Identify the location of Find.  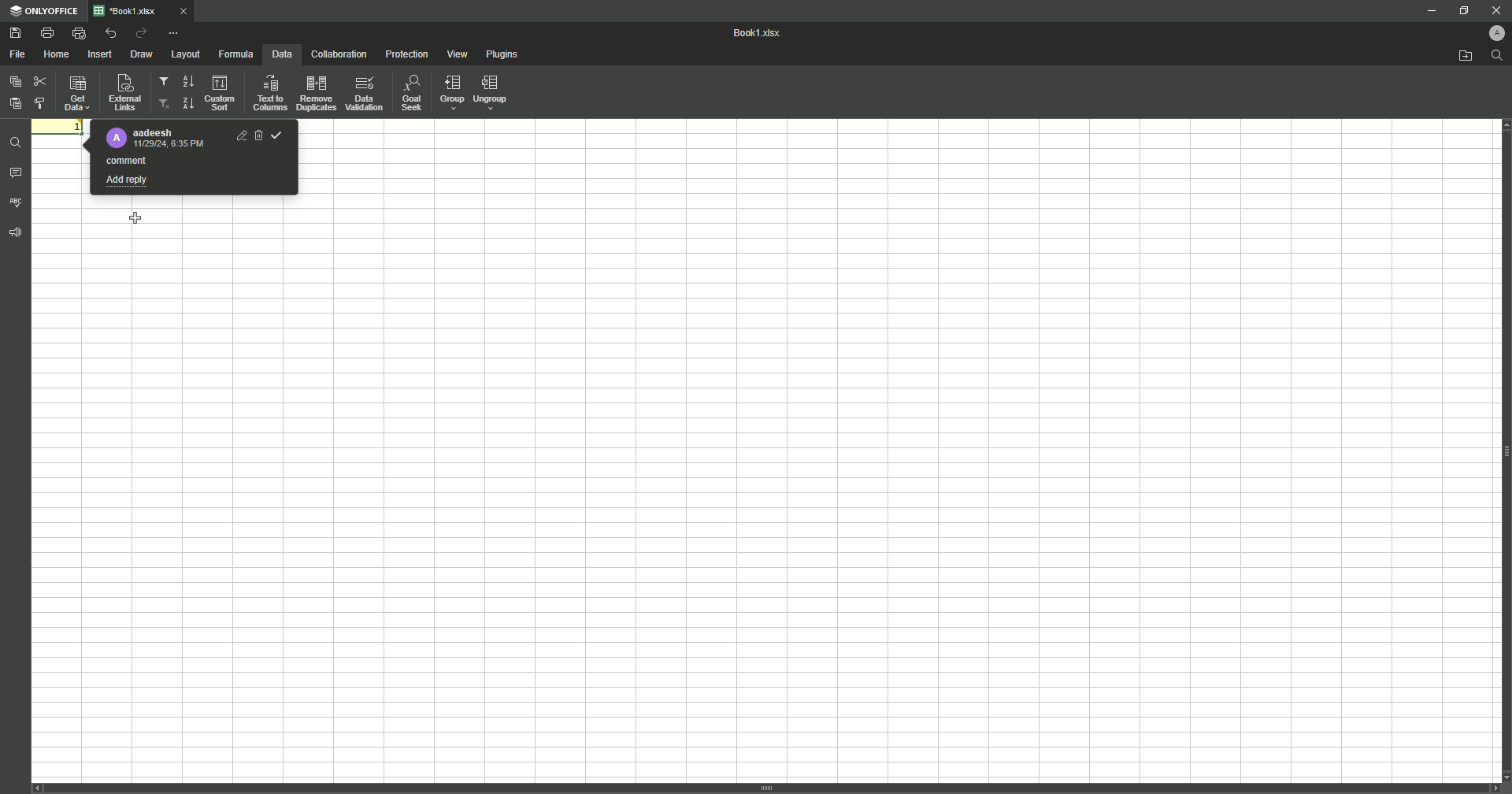
(1497, 55).